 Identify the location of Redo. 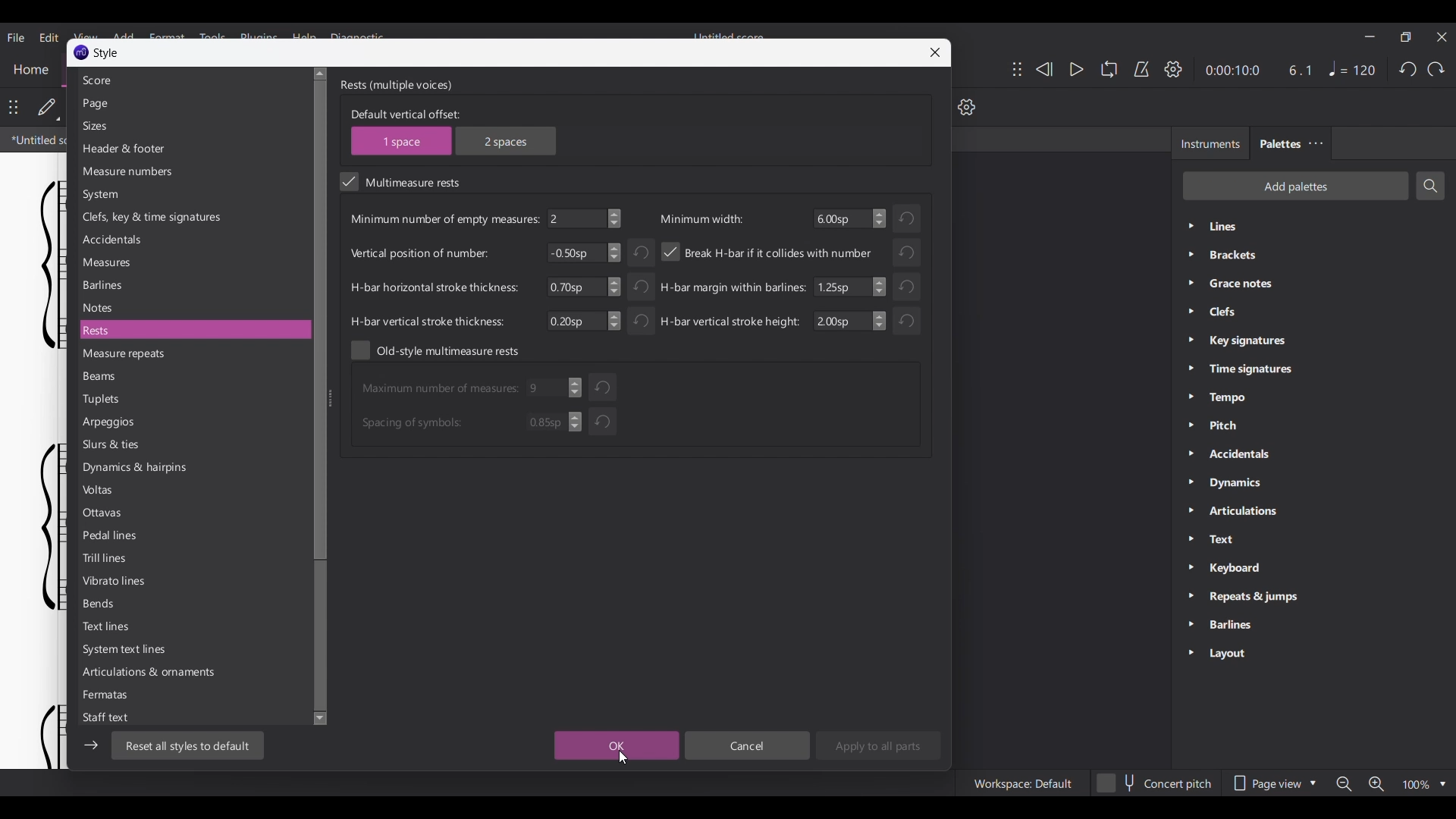
(1436, 70).